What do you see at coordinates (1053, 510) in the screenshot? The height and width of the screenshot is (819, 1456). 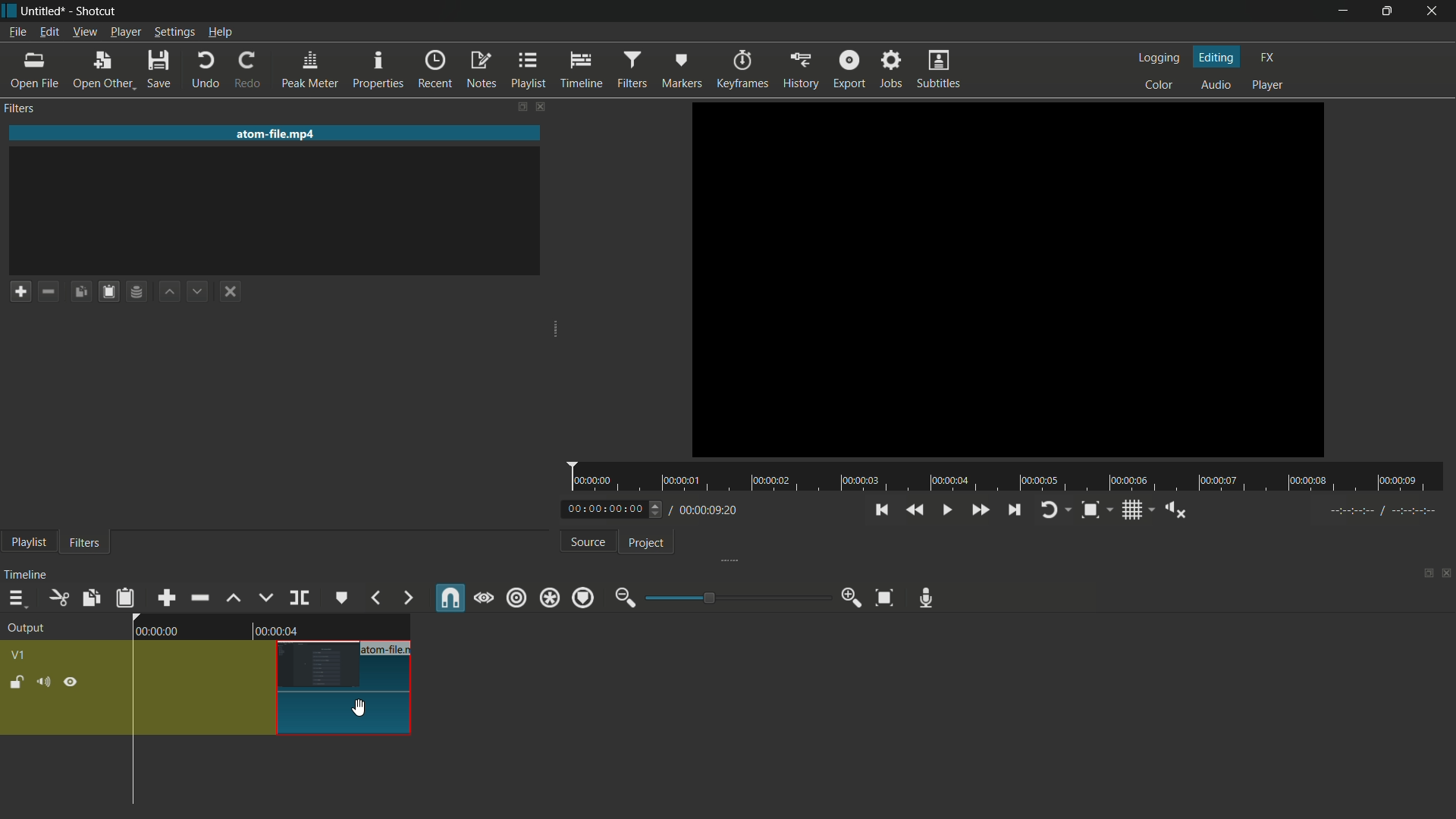 I see `toggle player looping` at bounding box center [1053, 510].